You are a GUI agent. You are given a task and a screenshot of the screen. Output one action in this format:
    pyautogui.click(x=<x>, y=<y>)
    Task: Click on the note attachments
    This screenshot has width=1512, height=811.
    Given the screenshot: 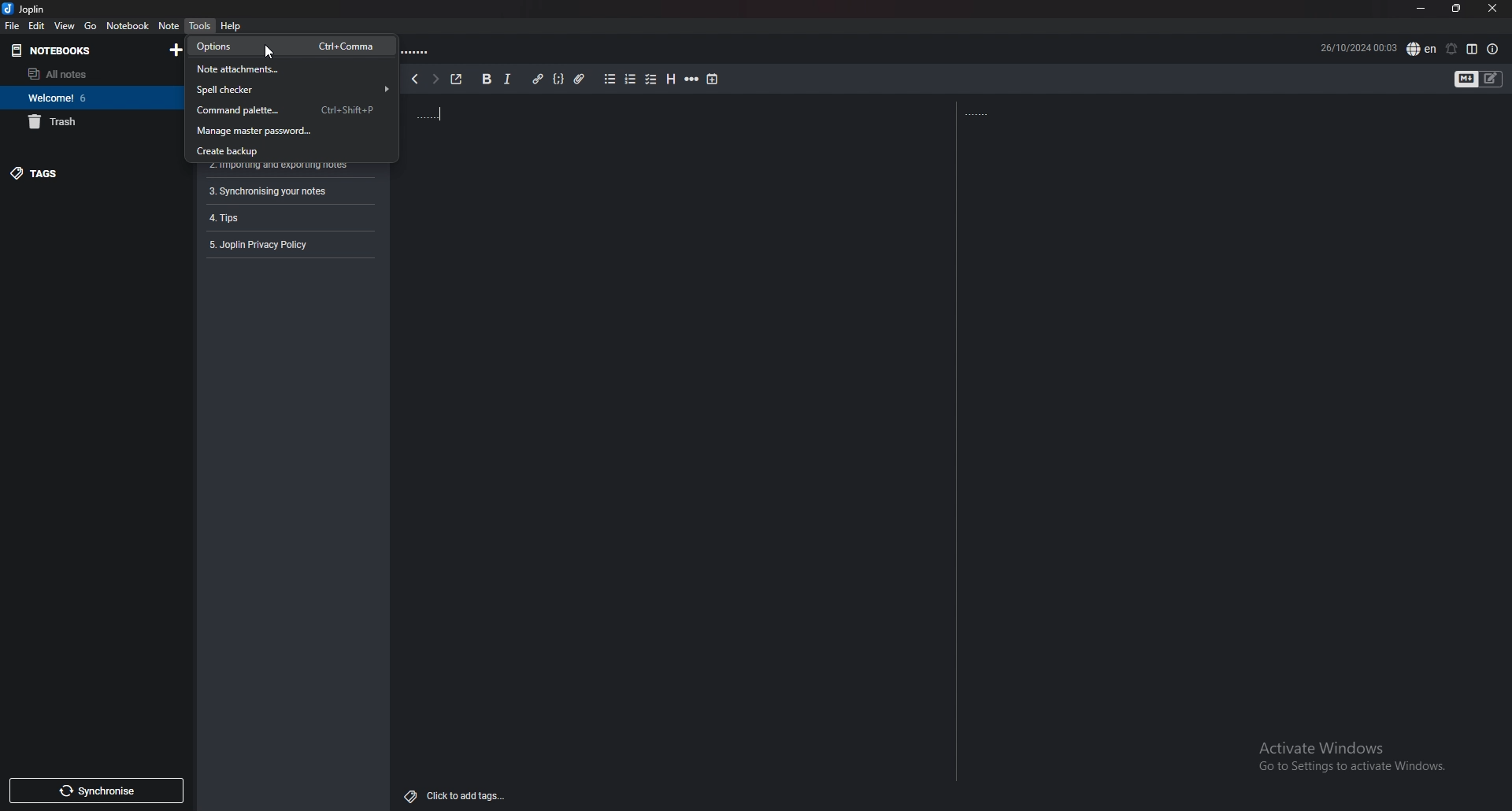 What is the action you would take?
    pyautogui.click(x=289, y=72)
    